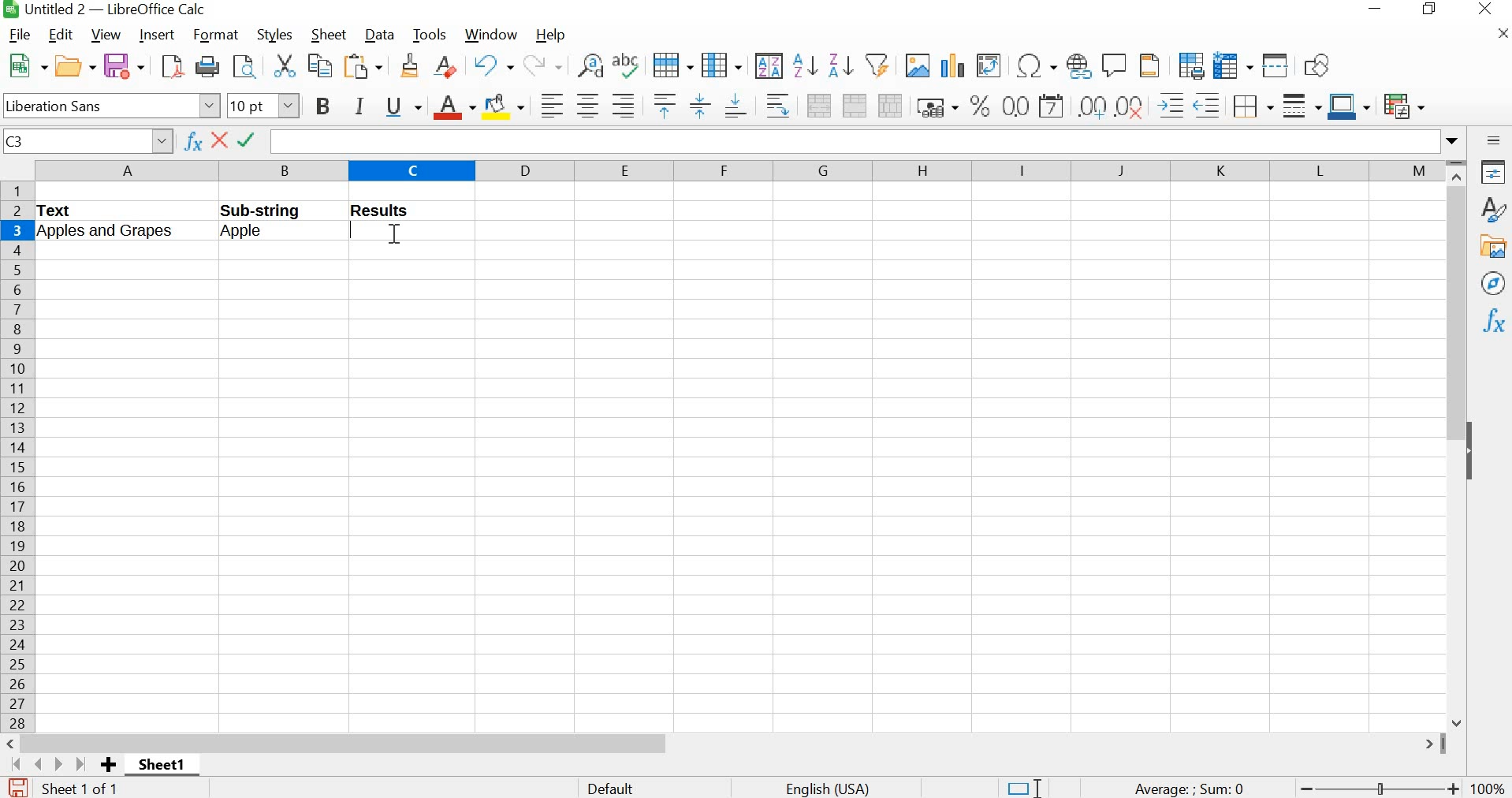 The height and width of the screenshot is (798, 1512). What do you see at coordinates (615, 787) in the screenshot?
I see `default` at bounding box center [615, 787].